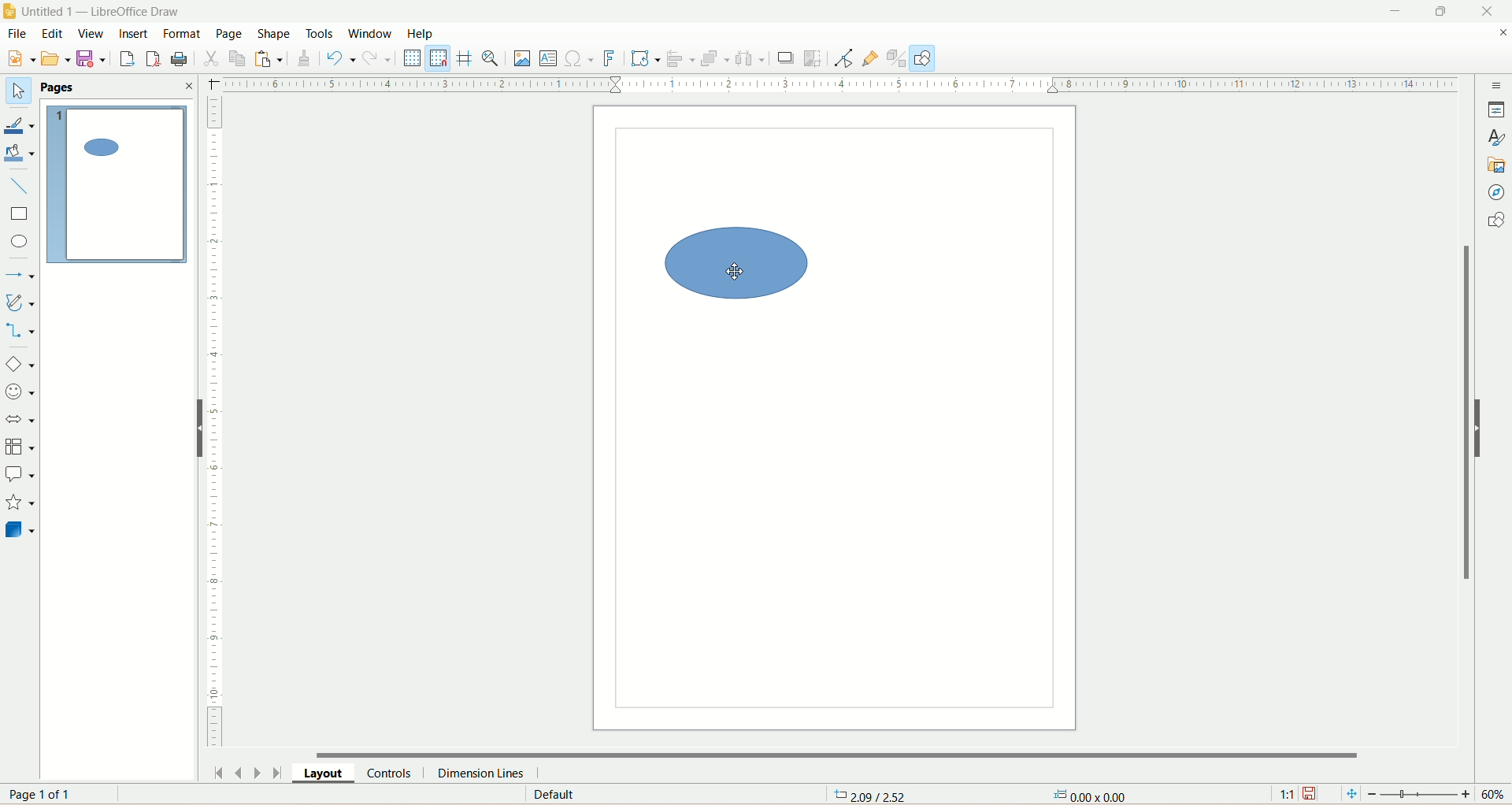 Image resolution: width=1512 pixels, height=805 pixels. I want to click on export, so click(128, 55).